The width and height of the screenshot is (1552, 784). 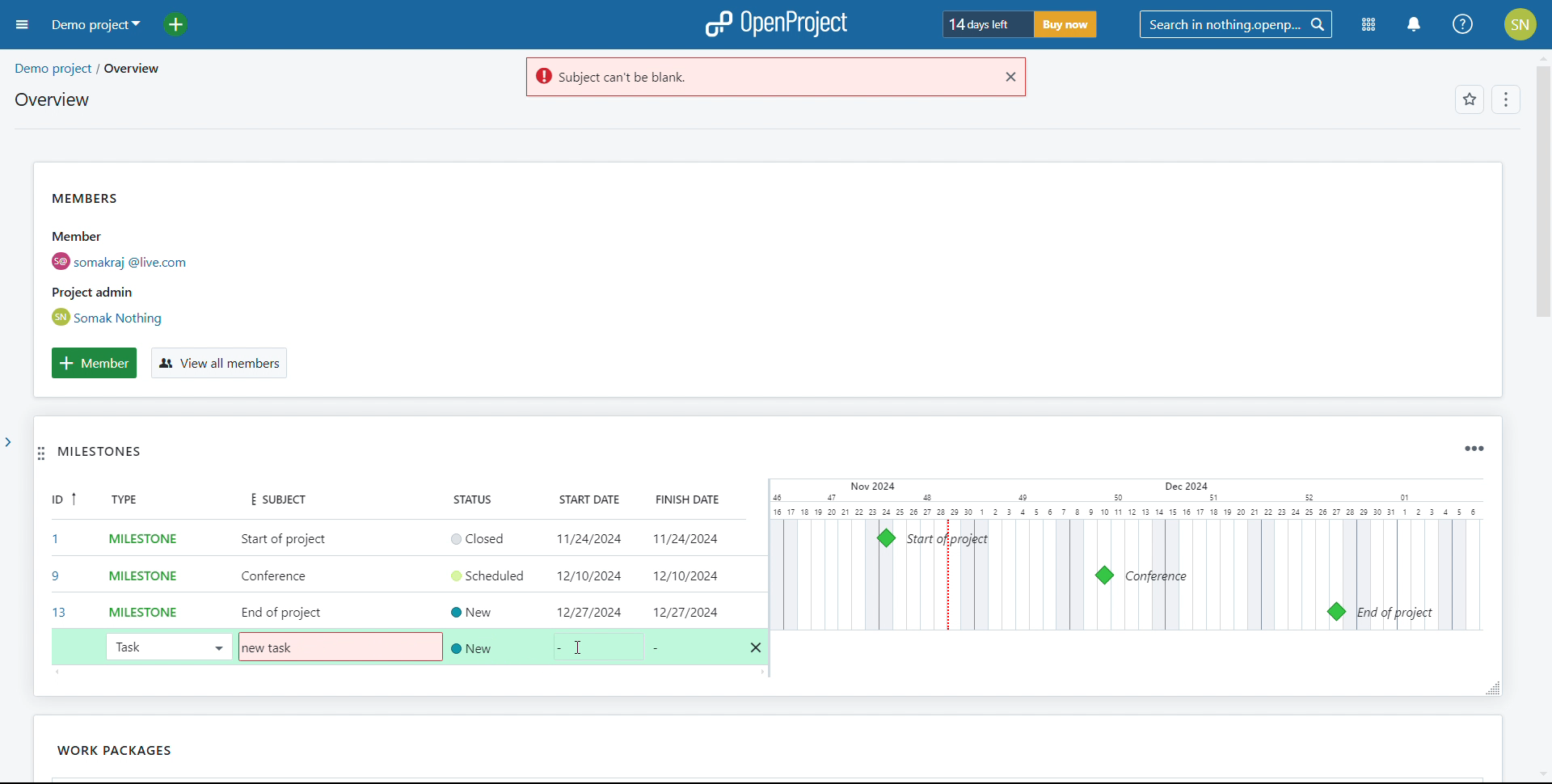 I want to click on logo, so click(x=776, y=24).